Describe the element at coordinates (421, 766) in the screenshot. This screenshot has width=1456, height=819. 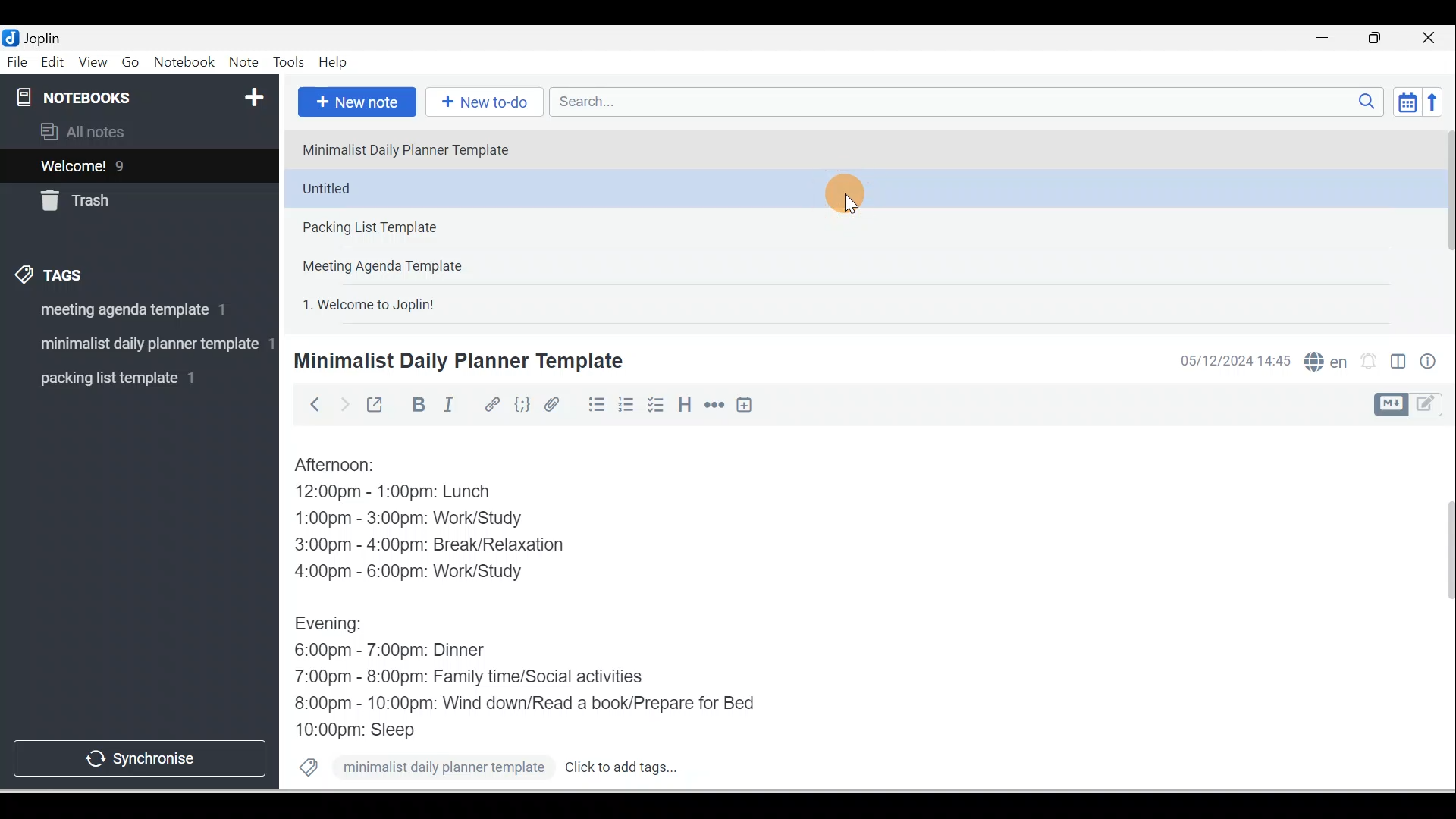
I see `minimalist daily planner template` at that location.